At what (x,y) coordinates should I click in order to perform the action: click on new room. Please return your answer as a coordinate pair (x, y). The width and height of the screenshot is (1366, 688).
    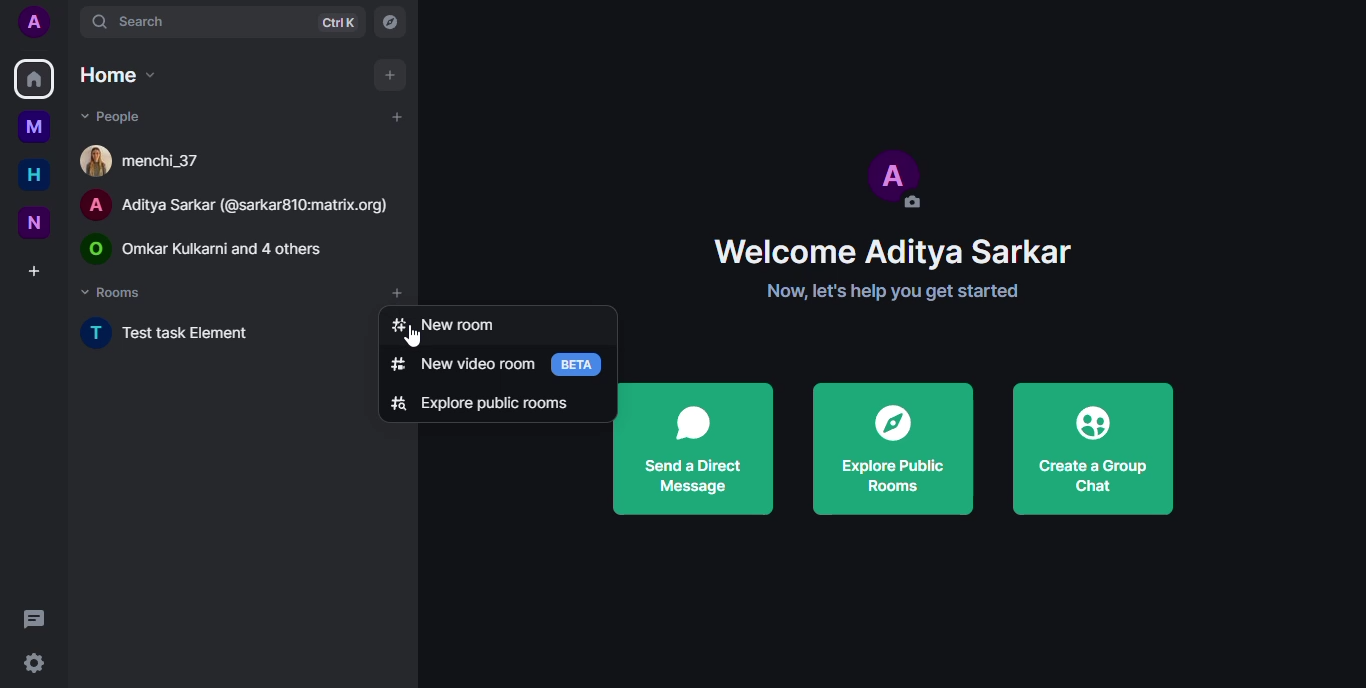
    Looking at the image, I should click on (442, 324).